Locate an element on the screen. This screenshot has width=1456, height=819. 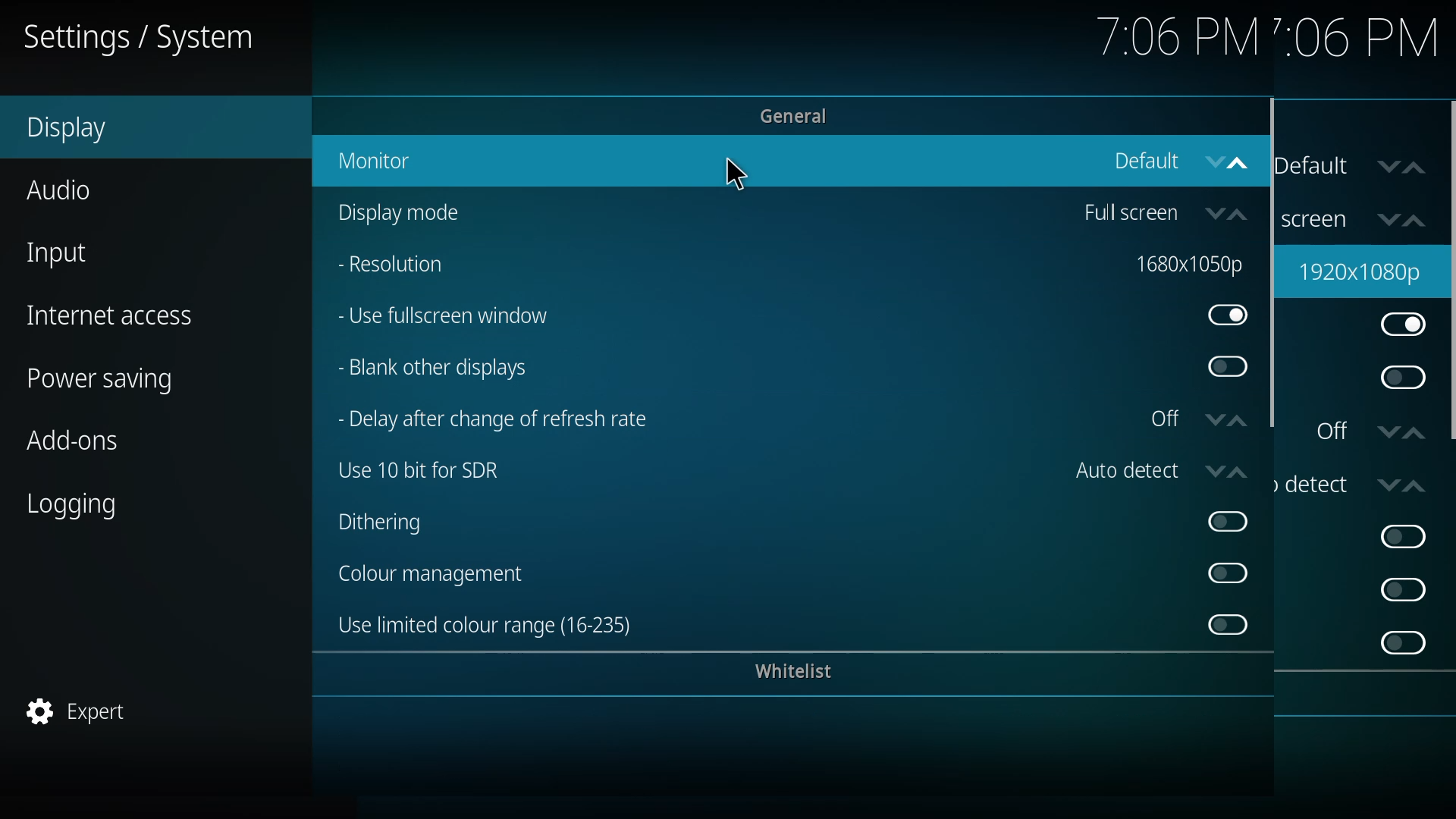
enable is located at coordinates (1404, 642).